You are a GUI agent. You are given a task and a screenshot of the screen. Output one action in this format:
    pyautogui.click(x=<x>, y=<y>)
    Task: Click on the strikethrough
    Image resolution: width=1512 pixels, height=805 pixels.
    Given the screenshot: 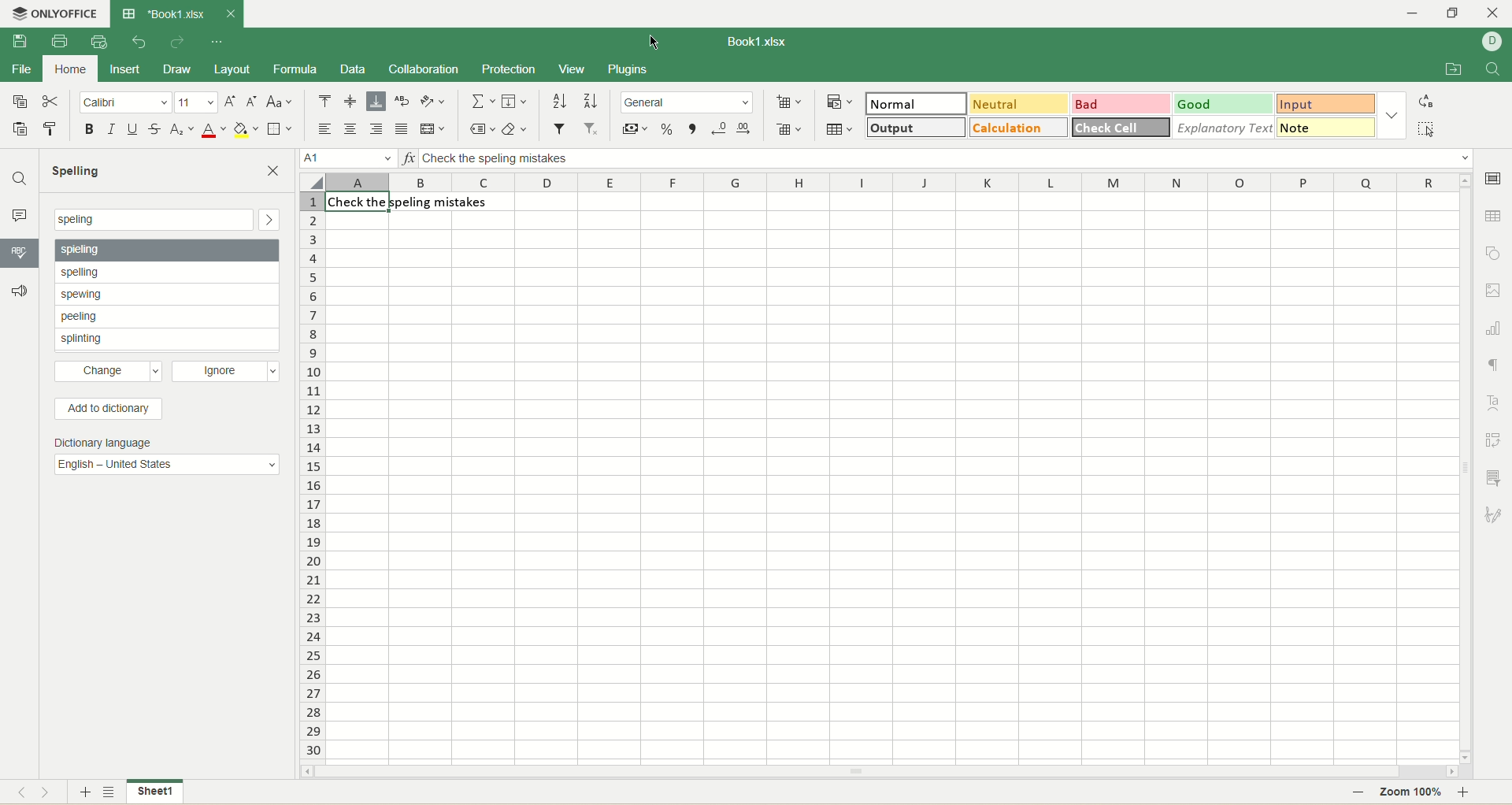 What is the action you would take?
    pyautogui.click(x=157, y=131)
    